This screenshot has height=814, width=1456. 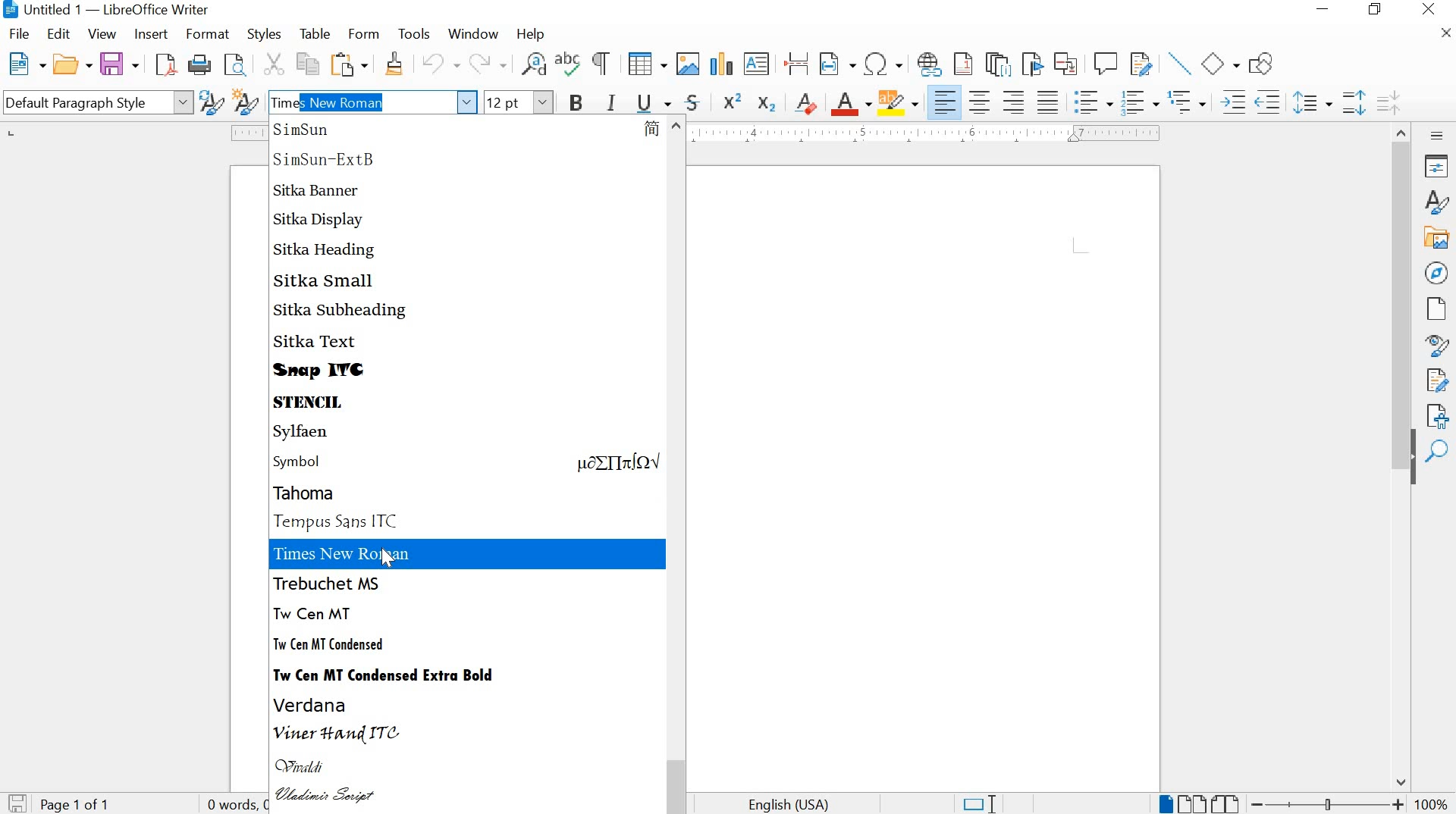 I want to click on SIMSUN-EXTB, so click(x=327, y=161).